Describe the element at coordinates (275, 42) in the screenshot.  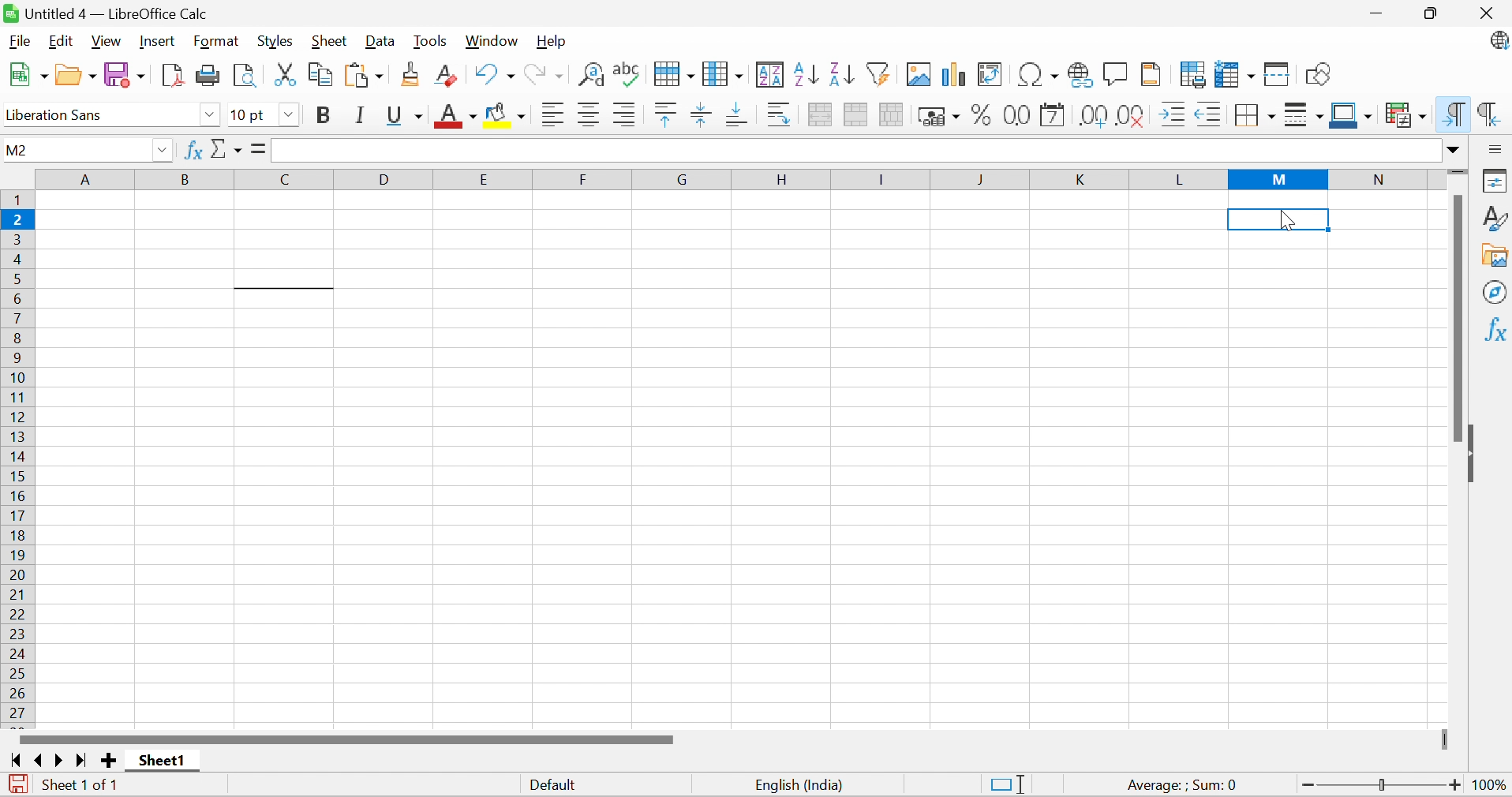
I see `Styles` at that location.